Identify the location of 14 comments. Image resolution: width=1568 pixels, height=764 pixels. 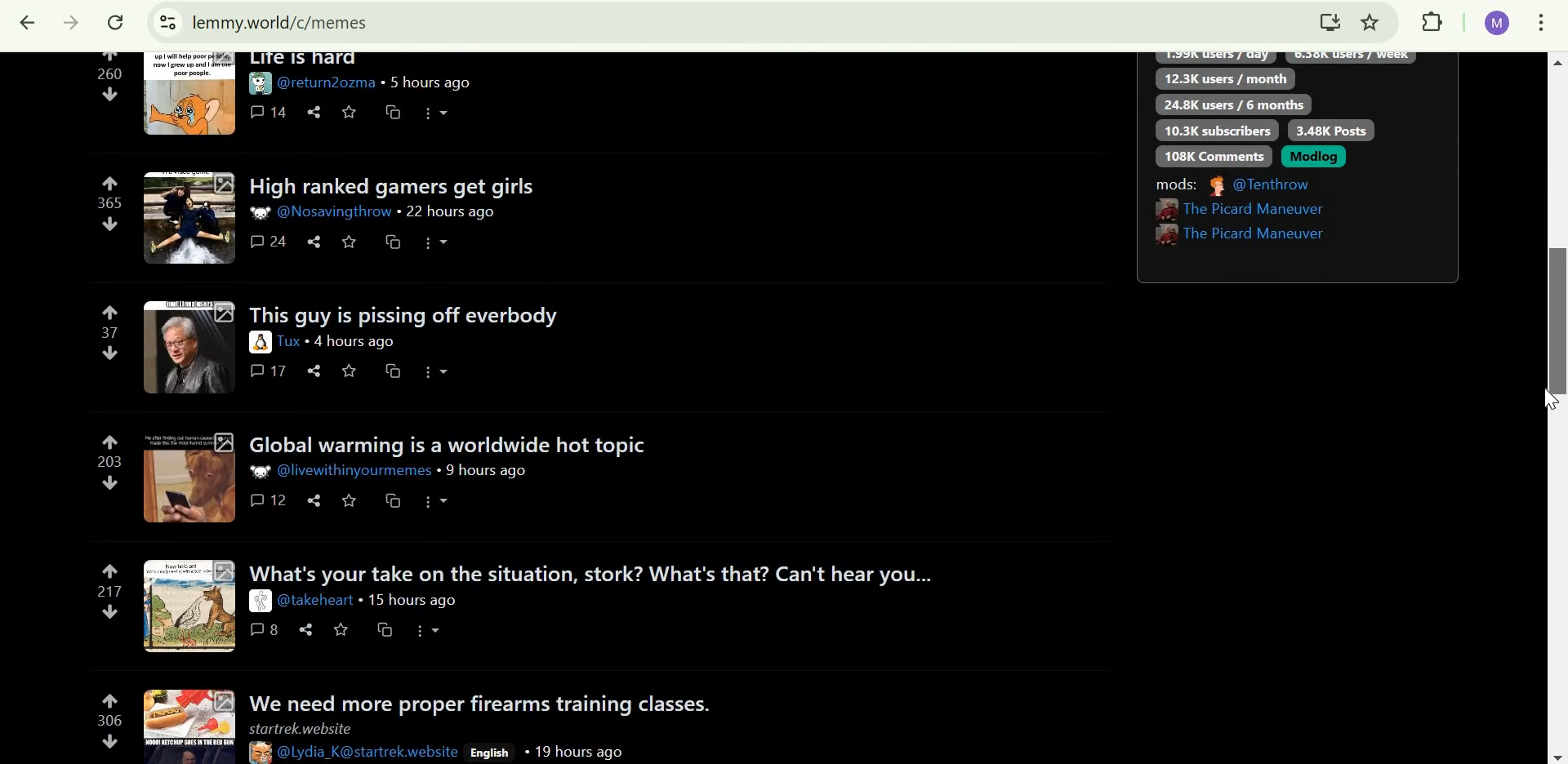
(269, 112).